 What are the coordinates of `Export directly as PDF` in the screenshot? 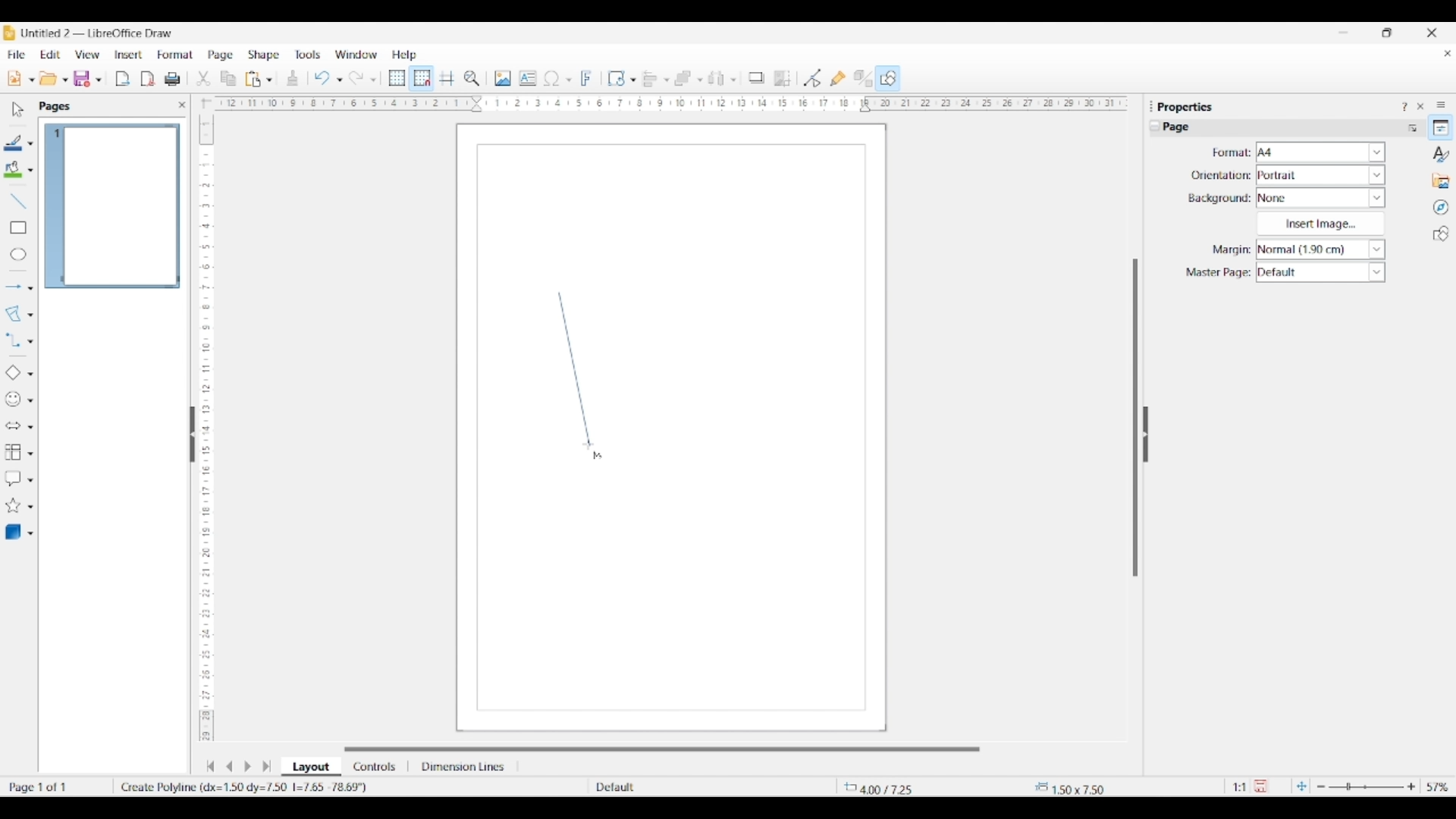 It's located at (148, 80).